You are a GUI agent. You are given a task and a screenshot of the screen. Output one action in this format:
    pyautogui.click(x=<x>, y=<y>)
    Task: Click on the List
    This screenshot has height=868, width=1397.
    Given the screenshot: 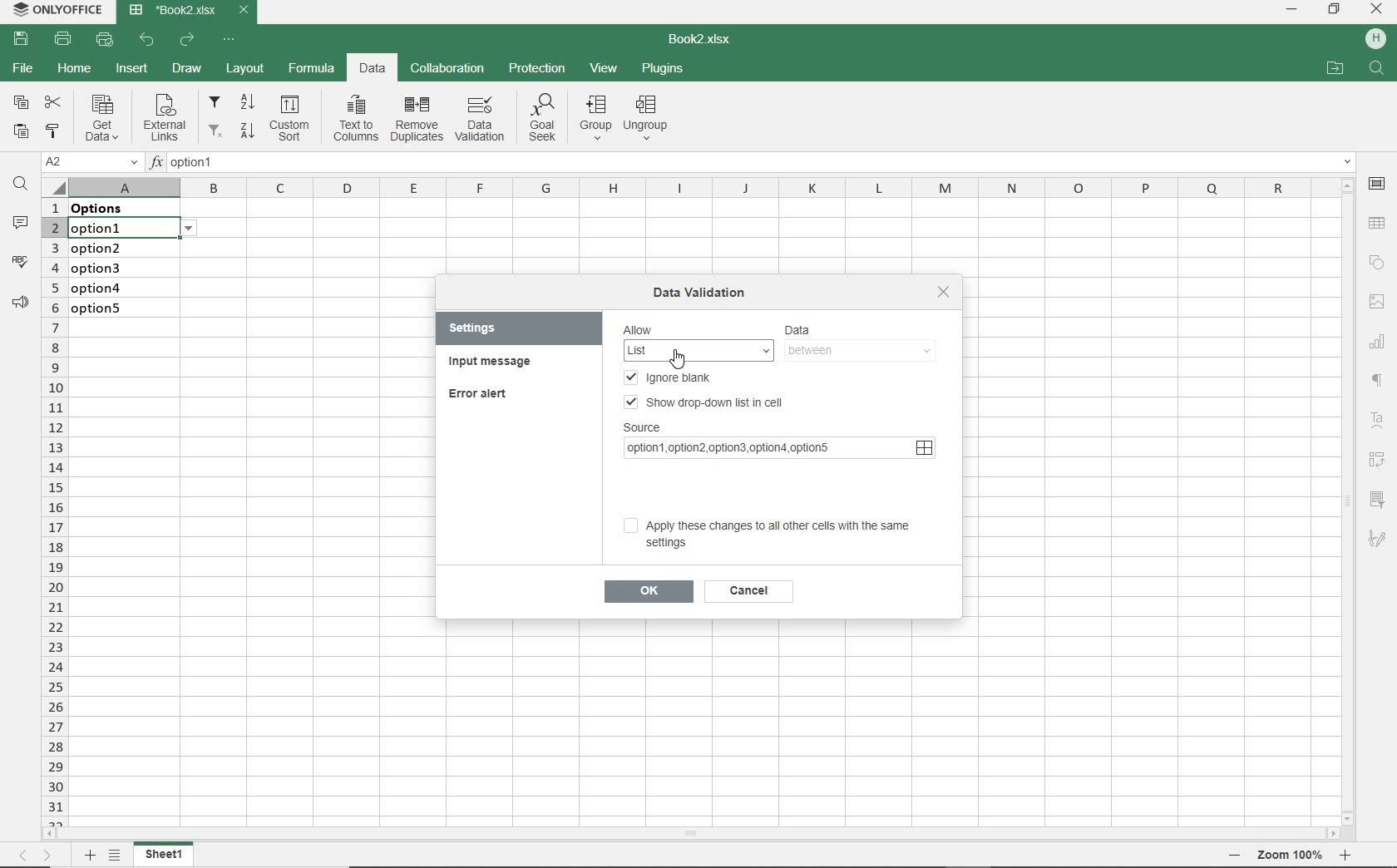 What is the action you would take?
    pyautogui.click(x=698, y=350)
    